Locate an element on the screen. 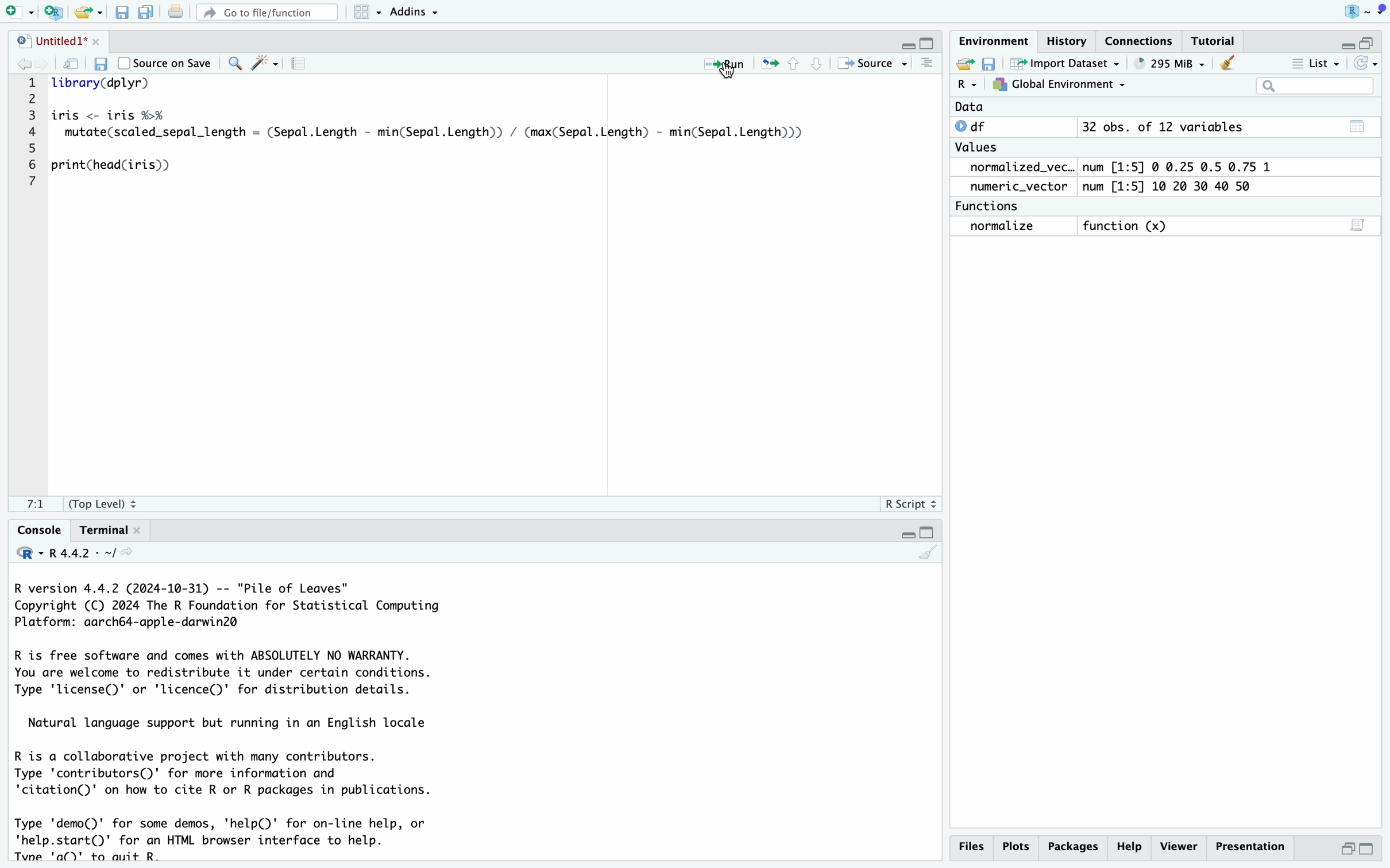 This screenshot has height=868, width=1390. Terminal is located at coordinates (107, 529).